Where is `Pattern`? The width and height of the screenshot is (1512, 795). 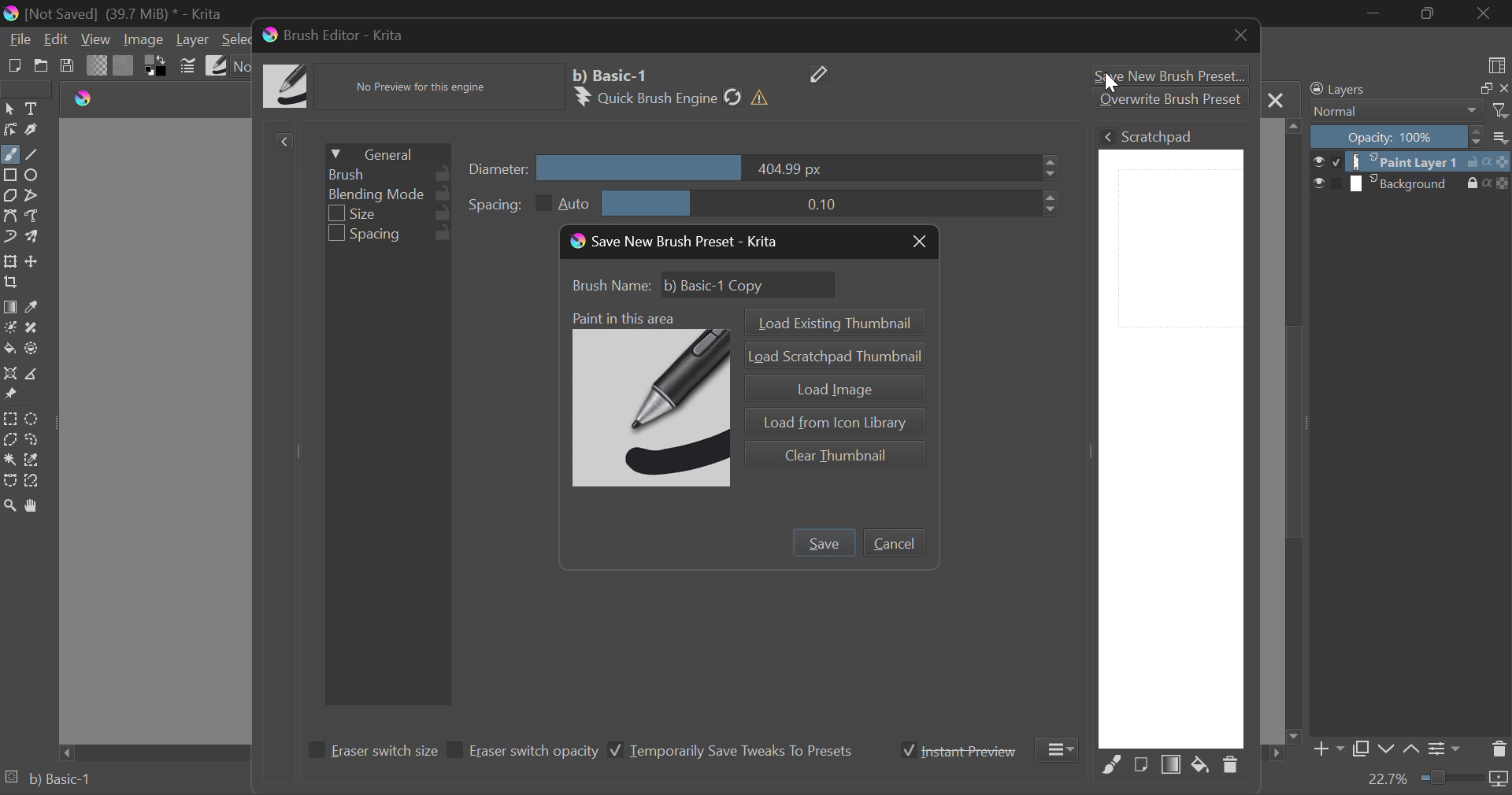
Pattern is located at coordinates (124, 65).